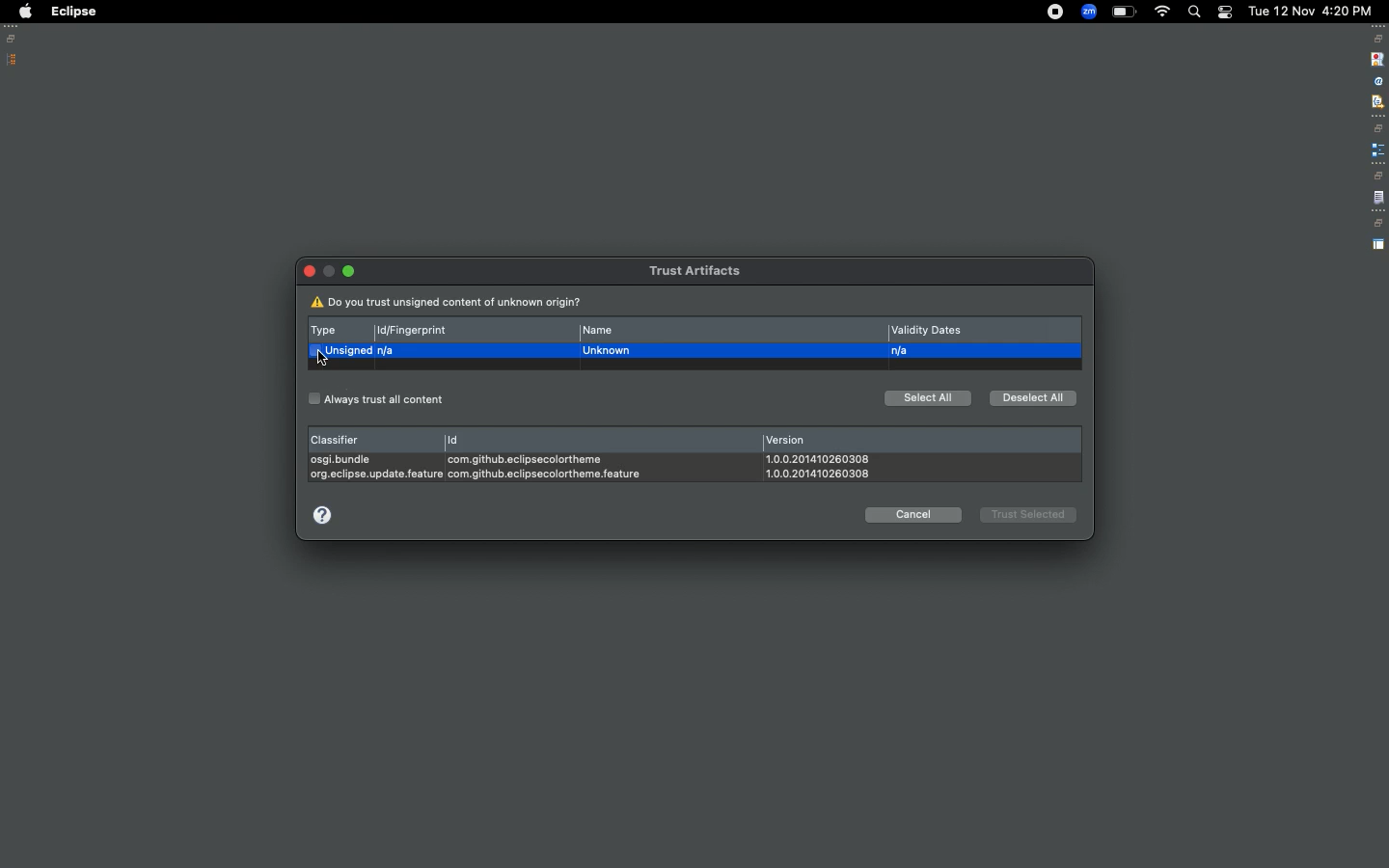 The width and height of the screenshot is (1389, 868). Describe the element at coordinates (1224, 13) in the screenshot. I see `Notification` at that location.